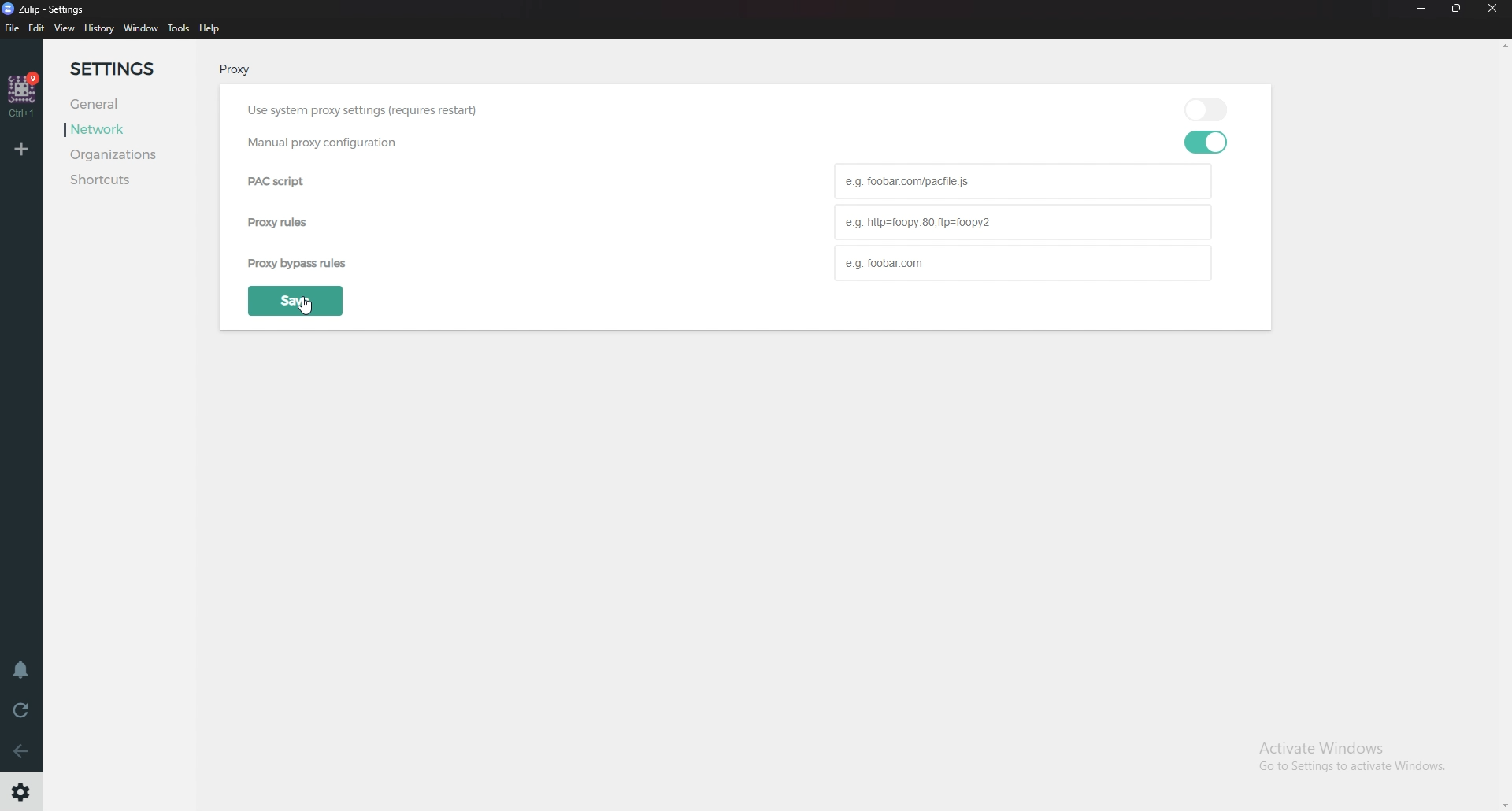 The height and width of the screenshot is (811, 1512). Describe the element at coordinates (1421, 9) in the screenshot. I see `Minimize` at that location.